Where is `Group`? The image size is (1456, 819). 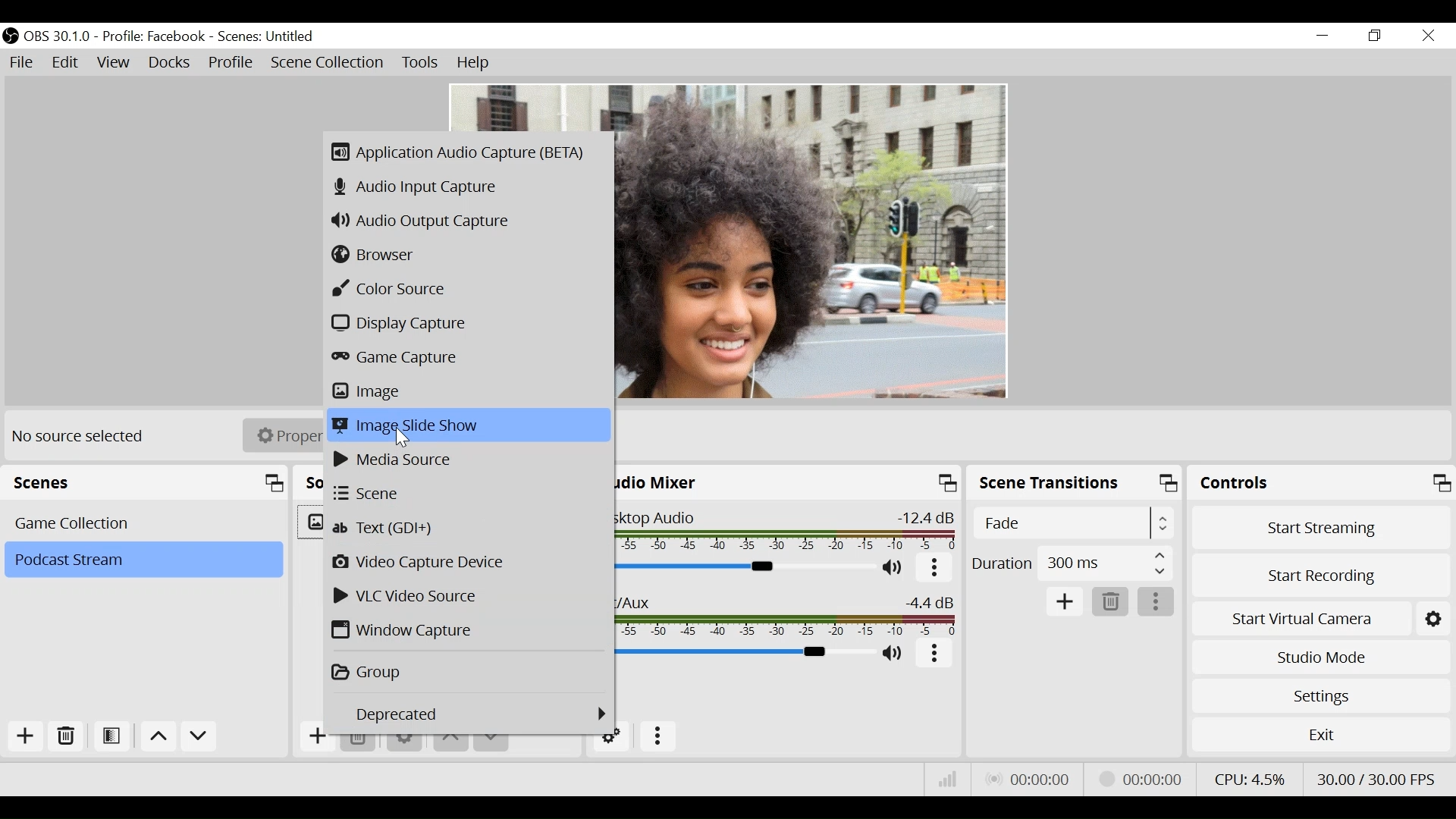
Group is located at coordinates (468, 670).